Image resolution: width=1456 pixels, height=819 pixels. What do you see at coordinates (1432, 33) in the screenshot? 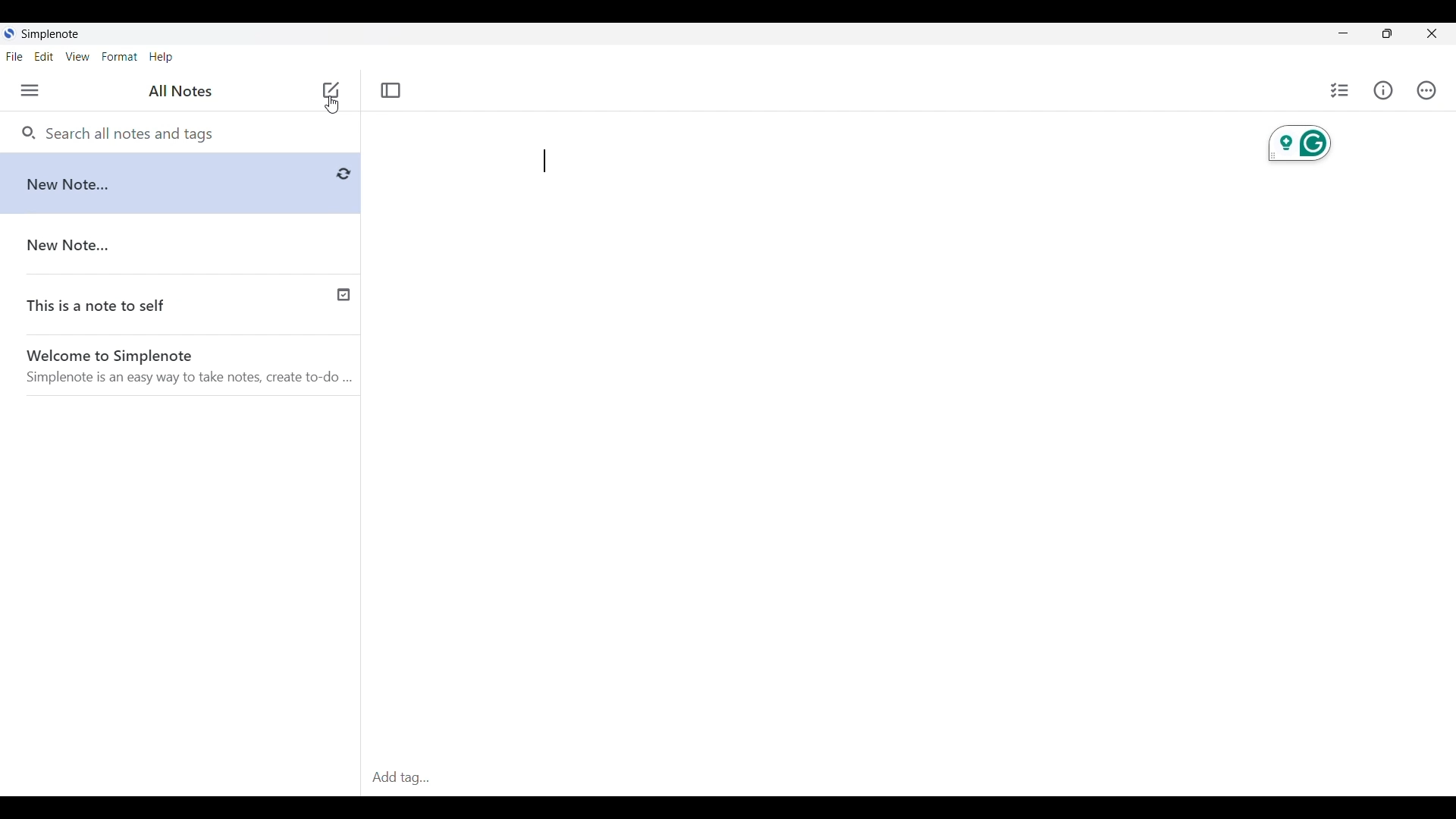
I see `Close interface` at bounding box center [1432, 33].